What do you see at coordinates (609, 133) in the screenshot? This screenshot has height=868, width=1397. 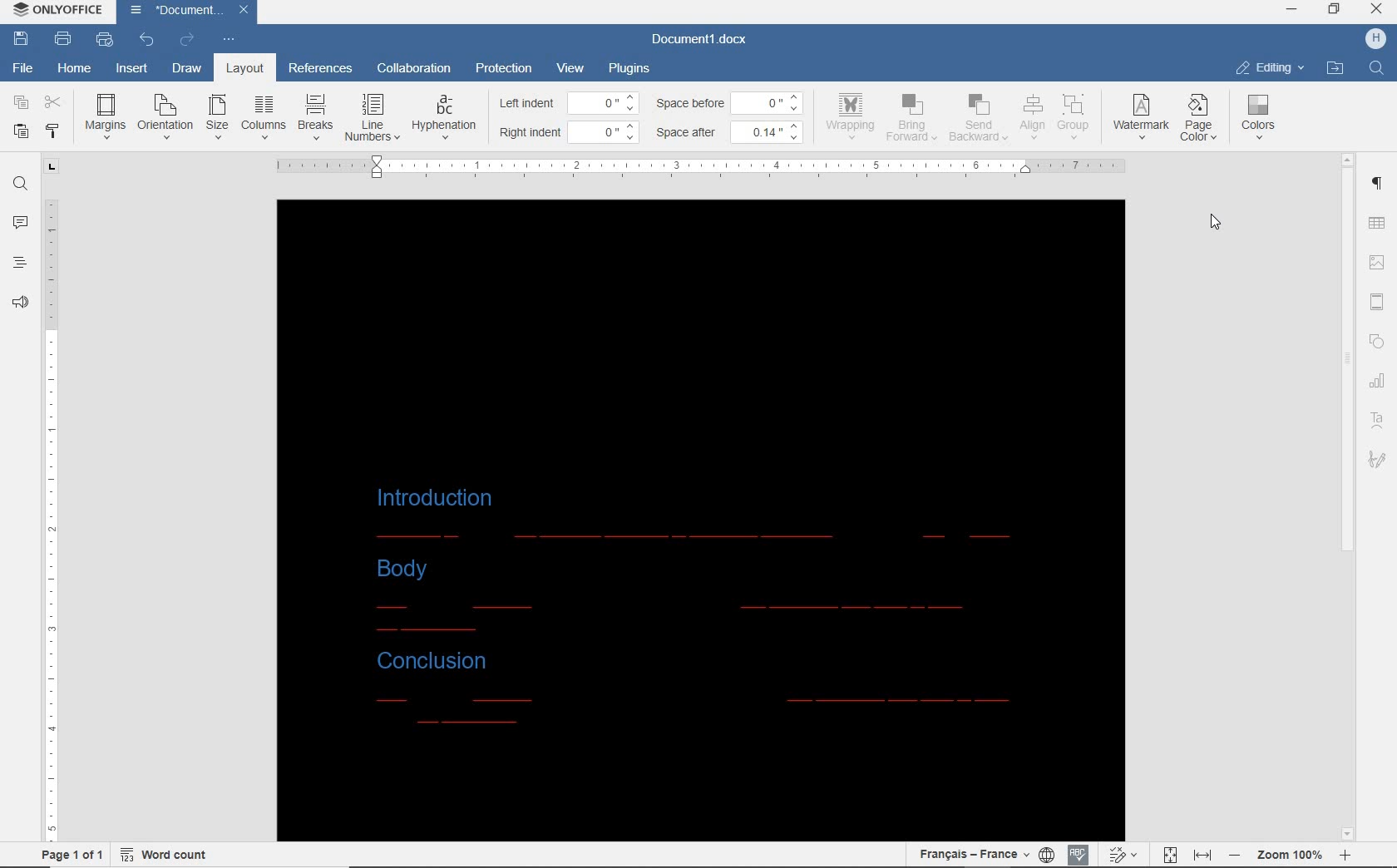 I see `0` at bounding box center [609, 133].